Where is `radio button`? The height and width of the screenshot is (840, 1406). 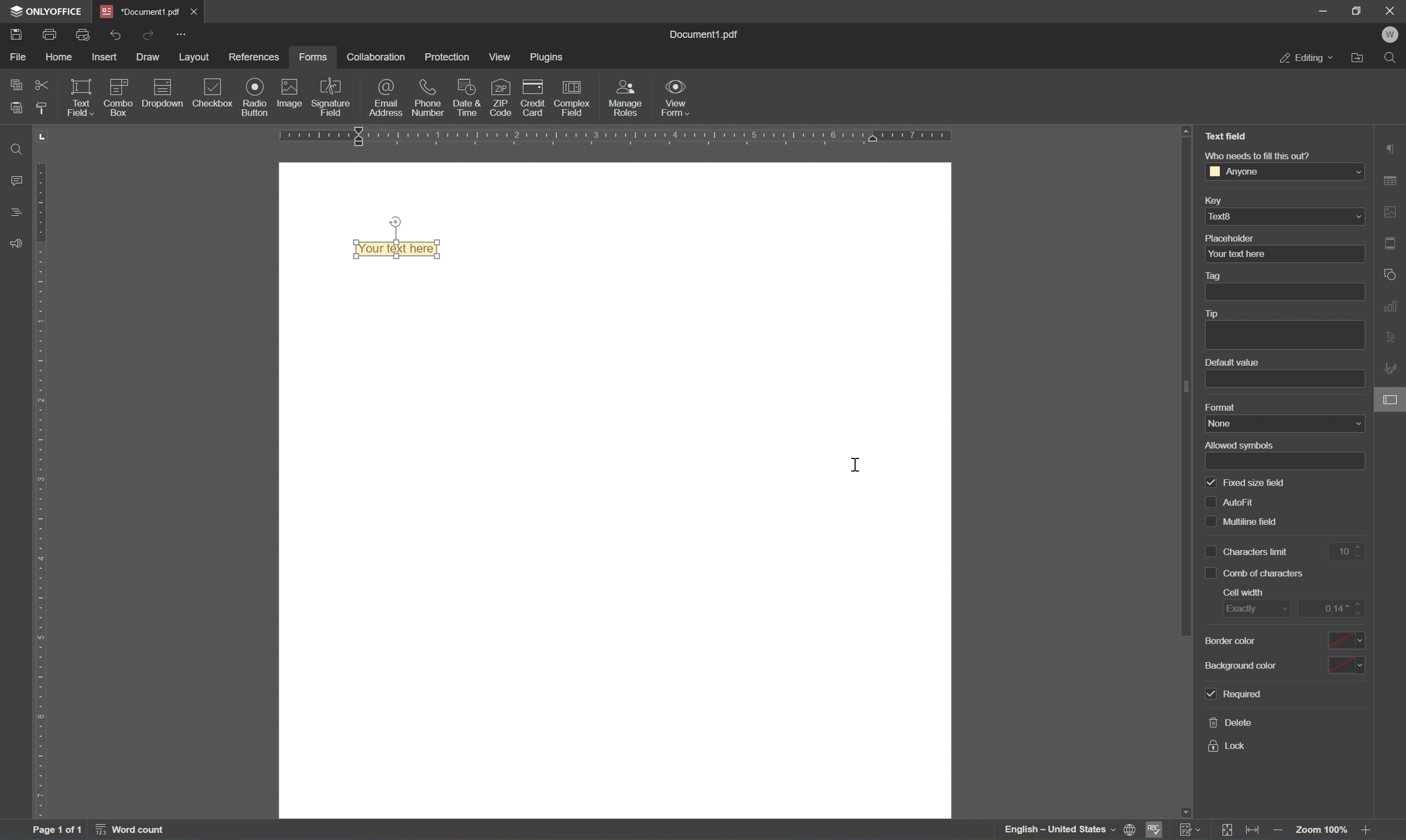 radio button is located at coordinates (256, 96).